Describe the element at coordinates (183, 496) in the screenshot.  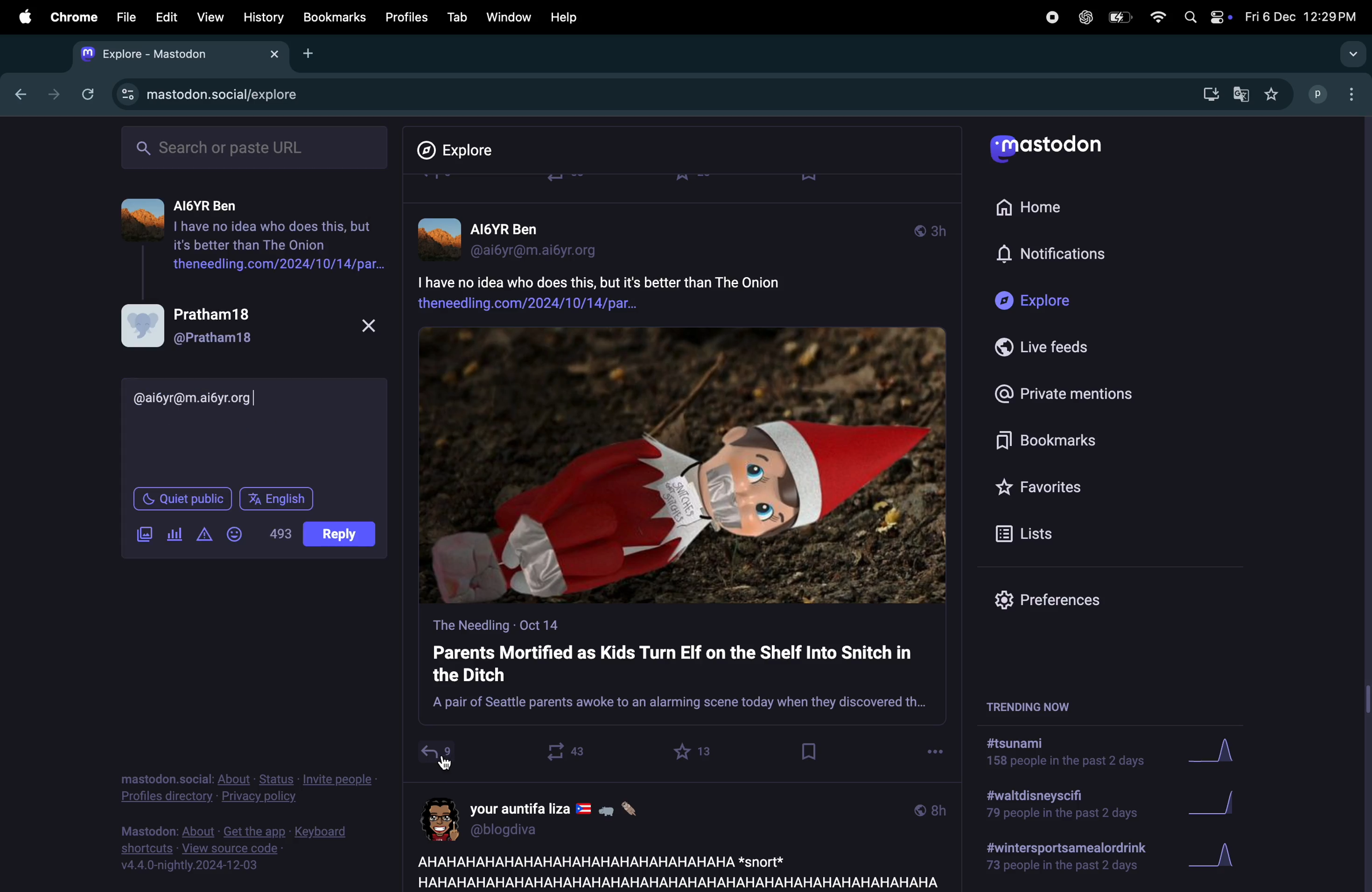
I see `quiet place` at that location.